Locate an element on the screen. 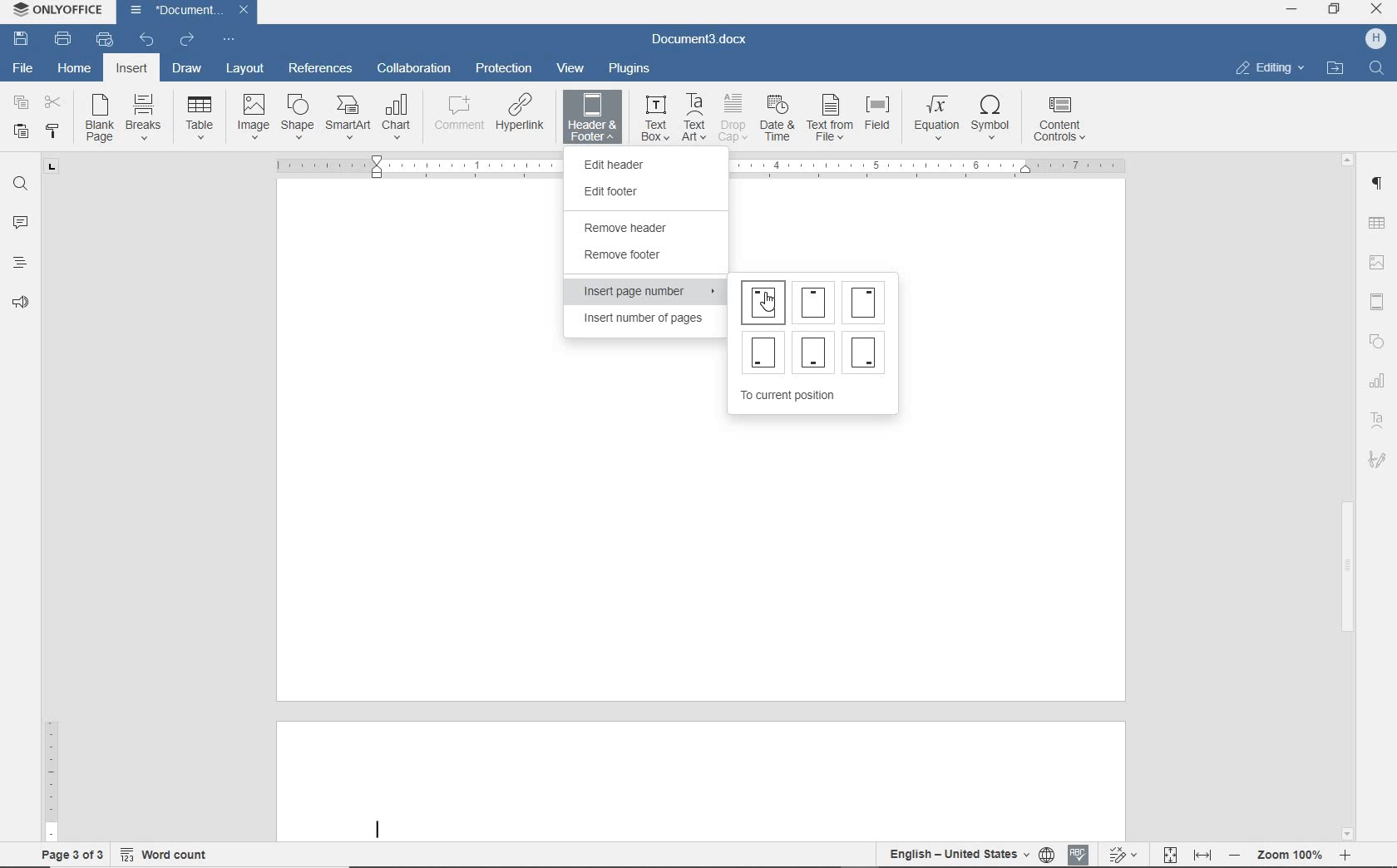  TABLE is located at coordinates (1379, 222).